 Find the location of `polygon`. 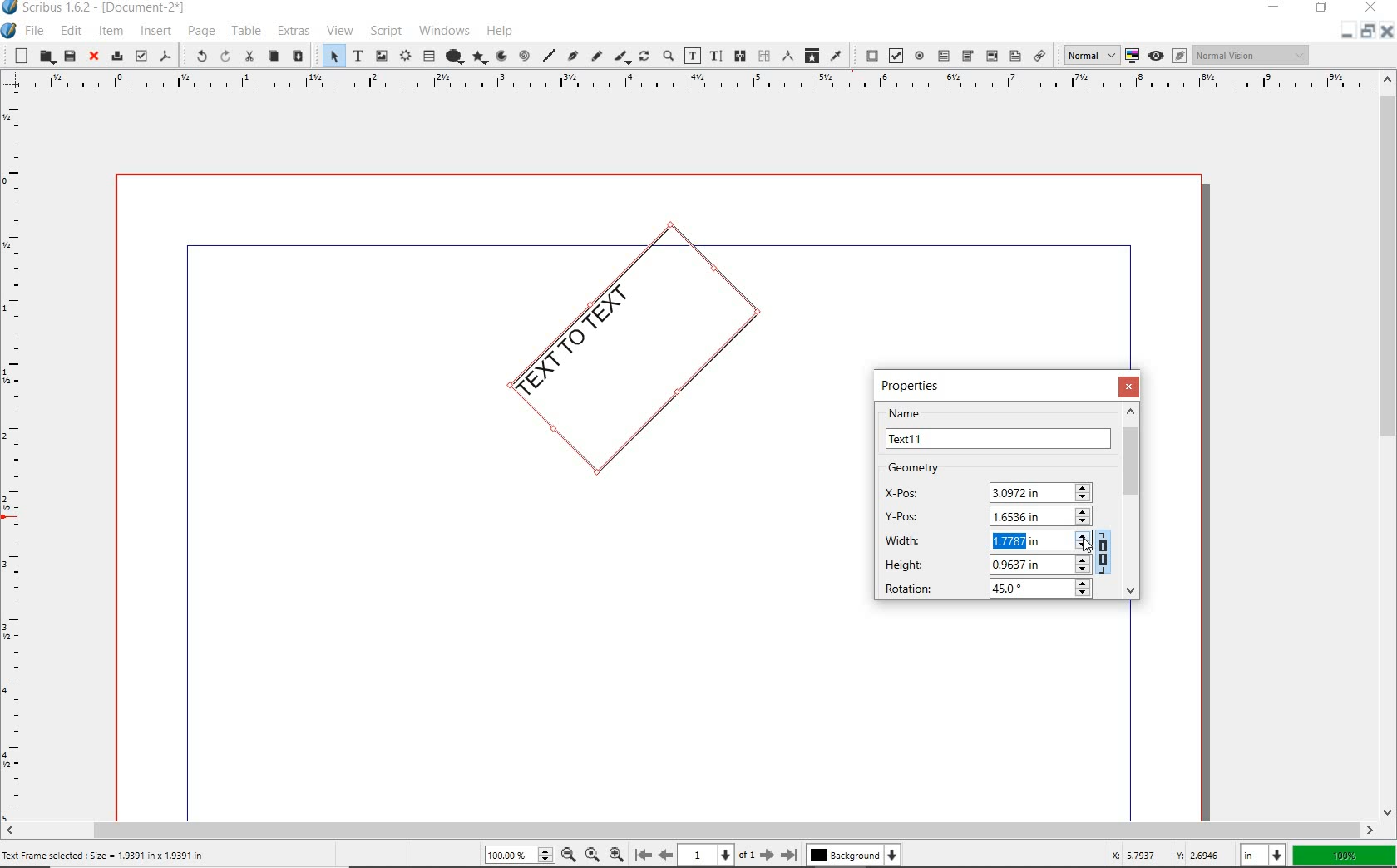

polygon is located at coordinates (480, 58).